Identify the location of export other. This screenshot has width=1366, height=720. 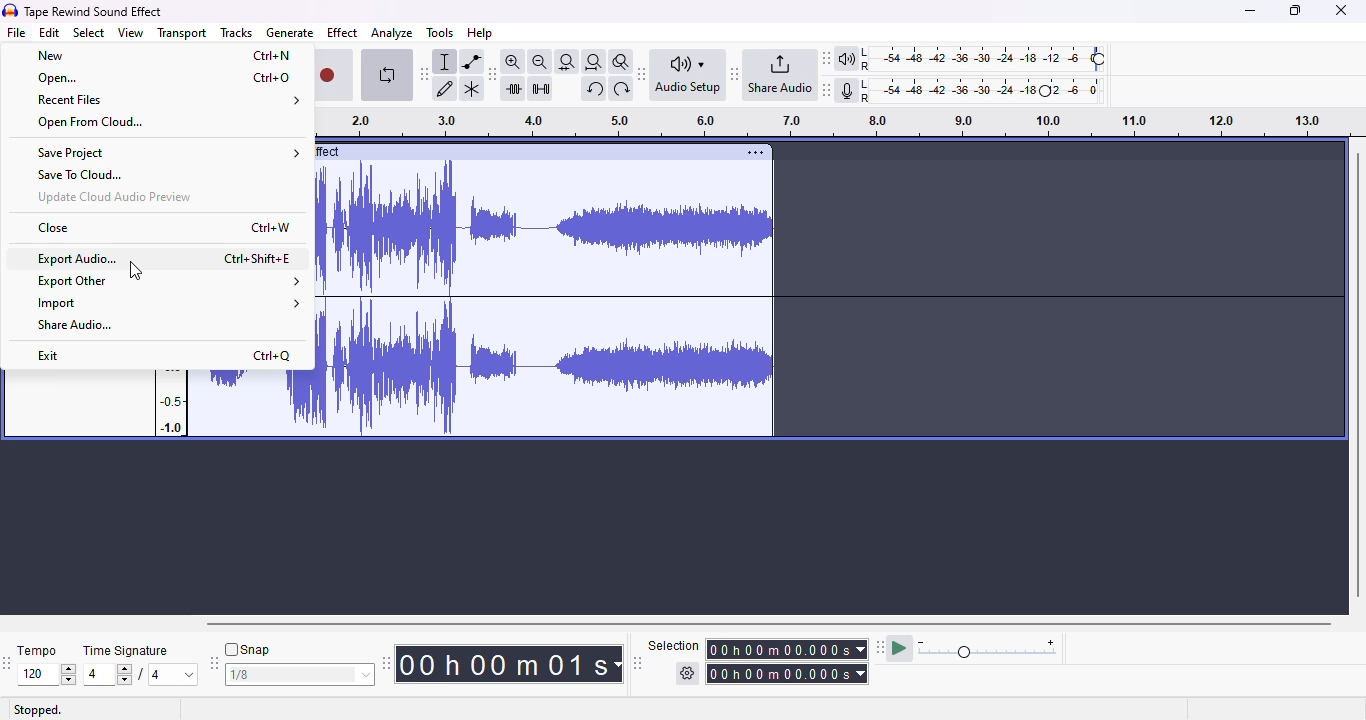
(166, 281).